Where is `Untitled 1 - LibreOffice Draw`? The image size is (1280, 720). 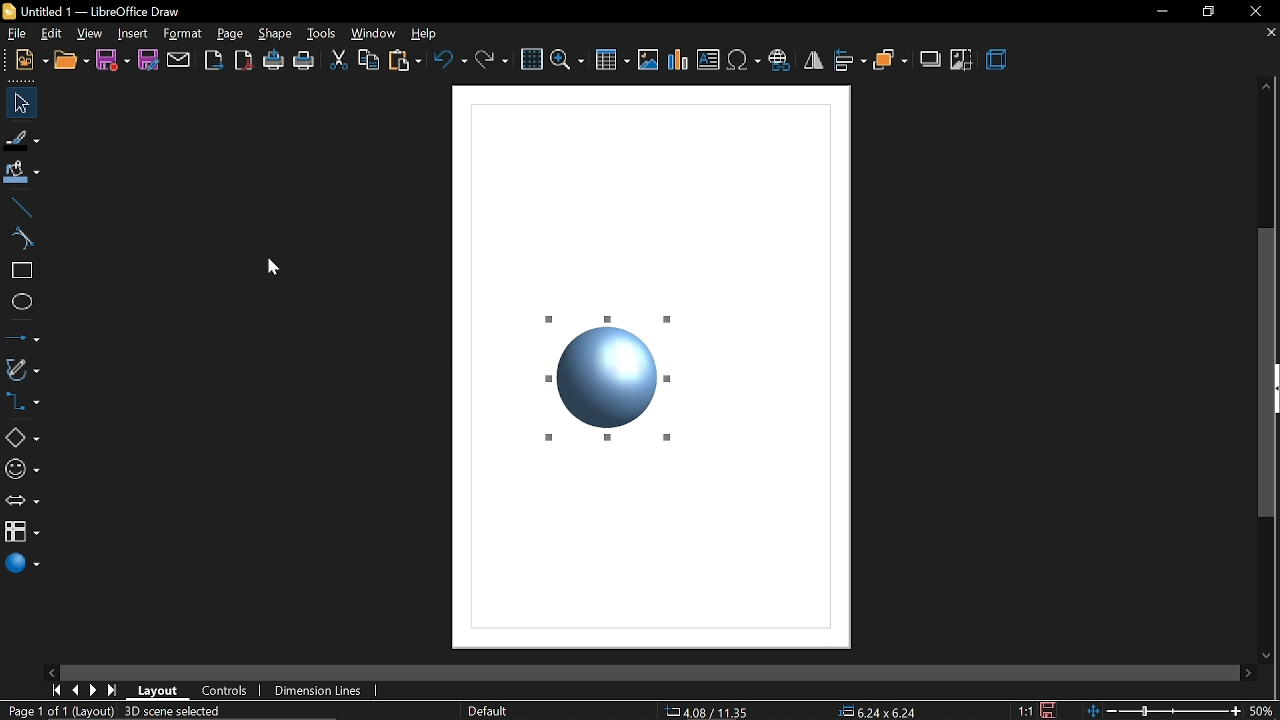
Untitled 1 - LibreOffice Draw is located at coordinates (91, 9).